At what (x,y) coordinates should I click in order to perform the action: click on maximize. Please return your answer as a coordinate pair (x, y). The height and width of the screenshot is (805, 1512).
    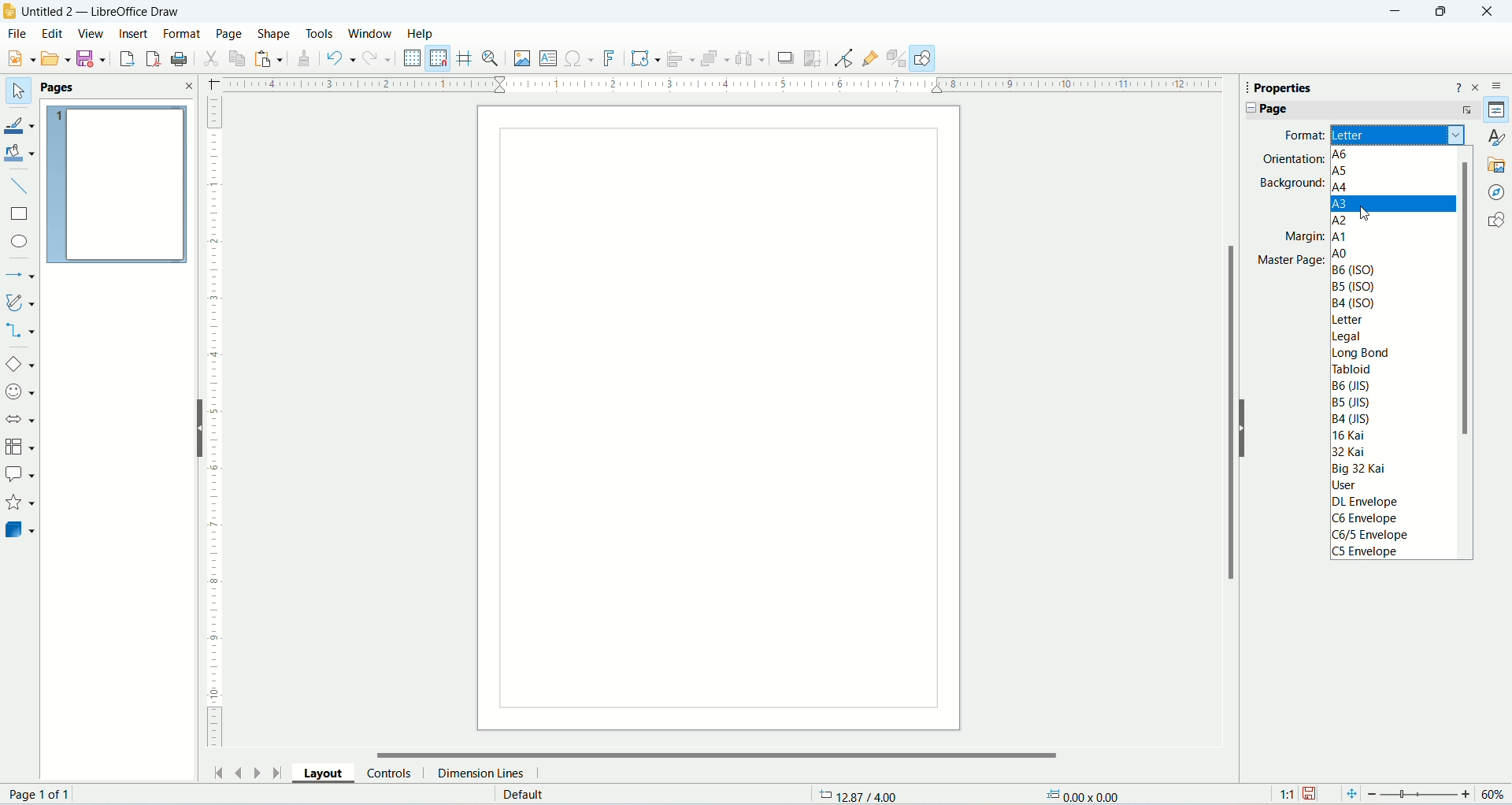
    Looking at the image, I should click on (1440, 15).